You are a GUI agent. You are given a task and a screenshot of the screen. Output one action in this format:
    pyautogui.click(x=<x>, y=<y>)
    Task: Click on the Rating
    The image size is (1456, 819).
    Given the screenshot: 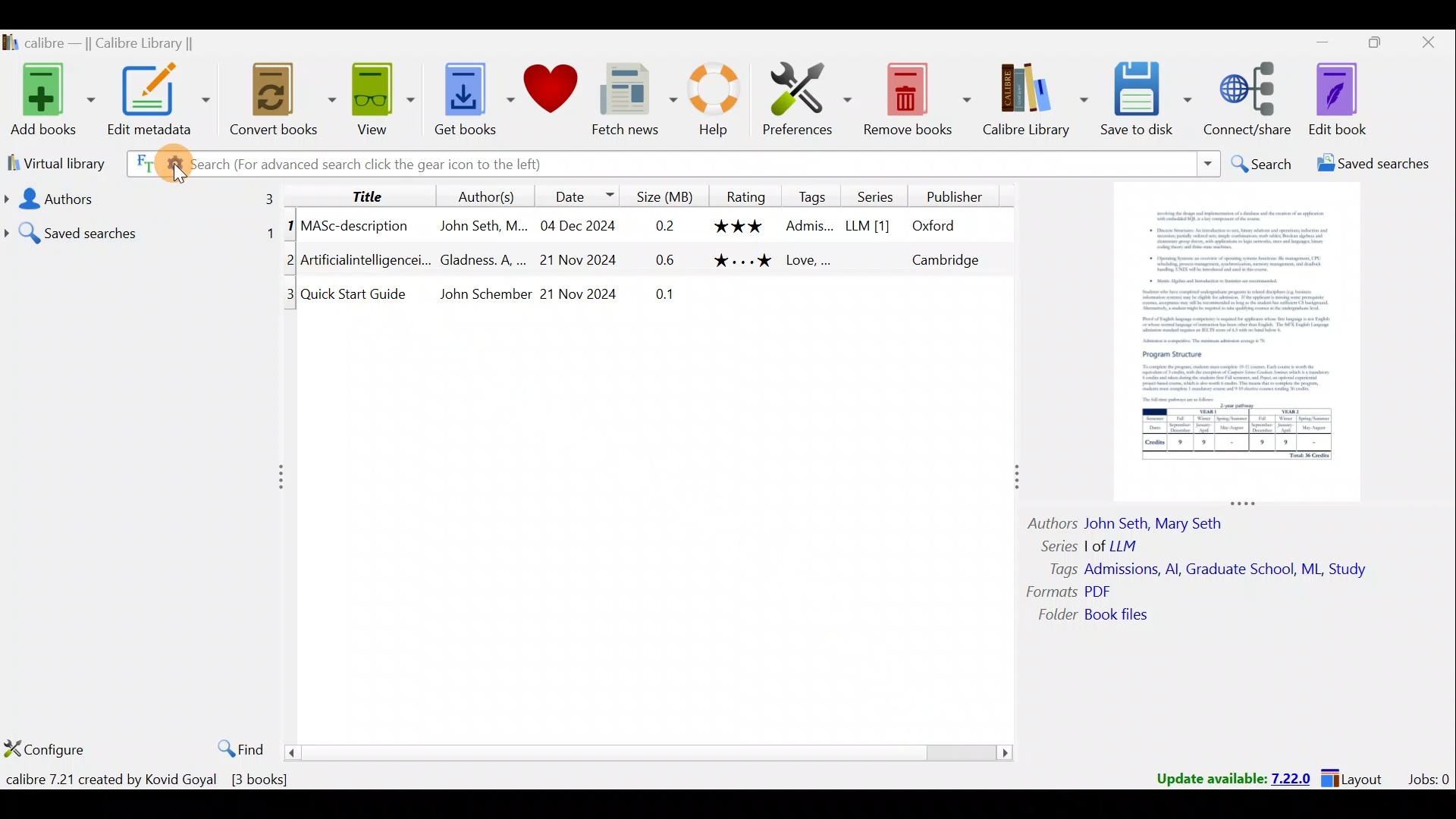 What is the action you would take?
    pyautogui.click(x=742, y=195)
    